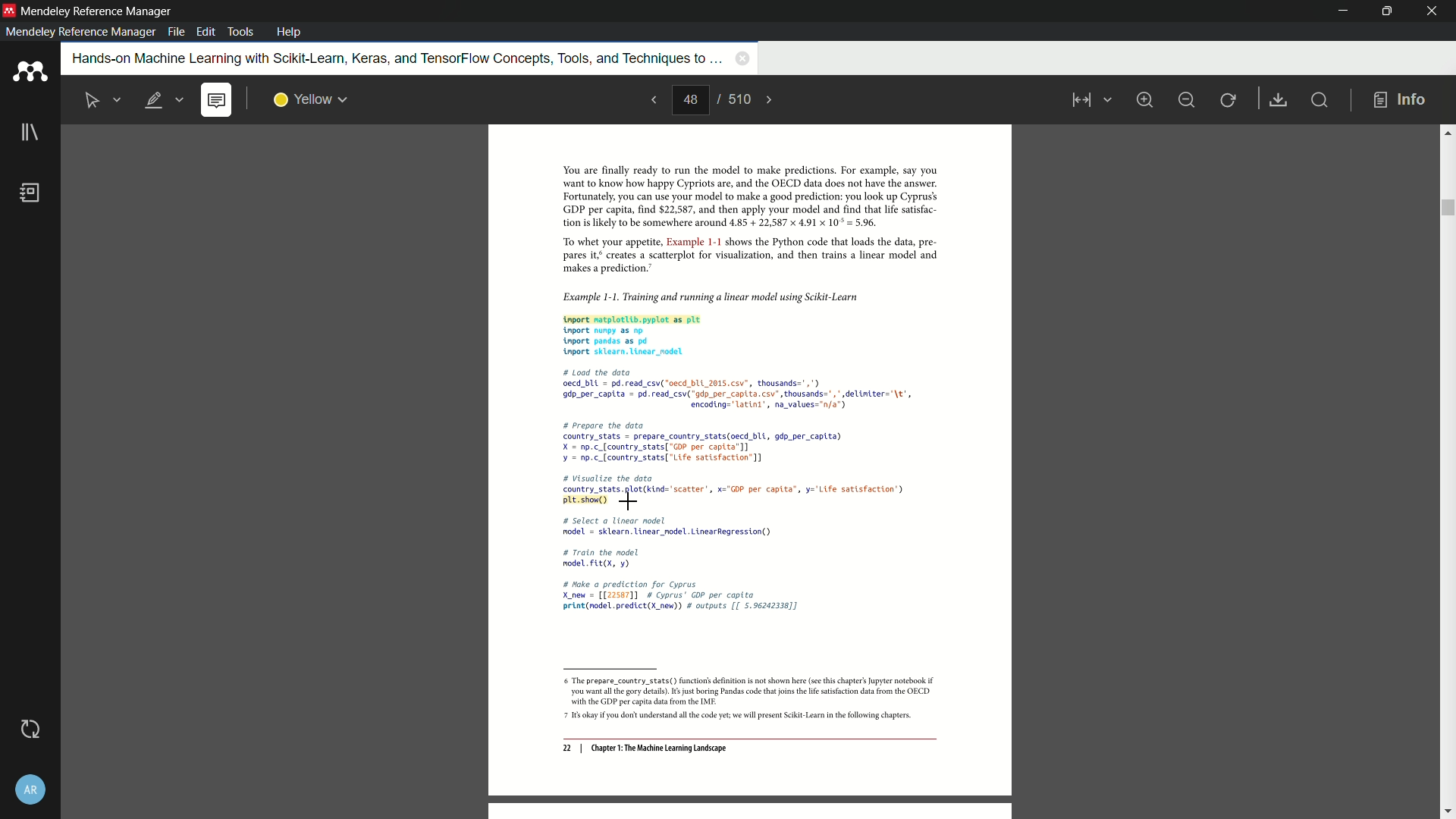 Image resolution: width=1456 pixels, height=819 pixels. What do you see at coordinates (742, 58) in the screenshot?
I see `close book` at bounding box center [742, 58].